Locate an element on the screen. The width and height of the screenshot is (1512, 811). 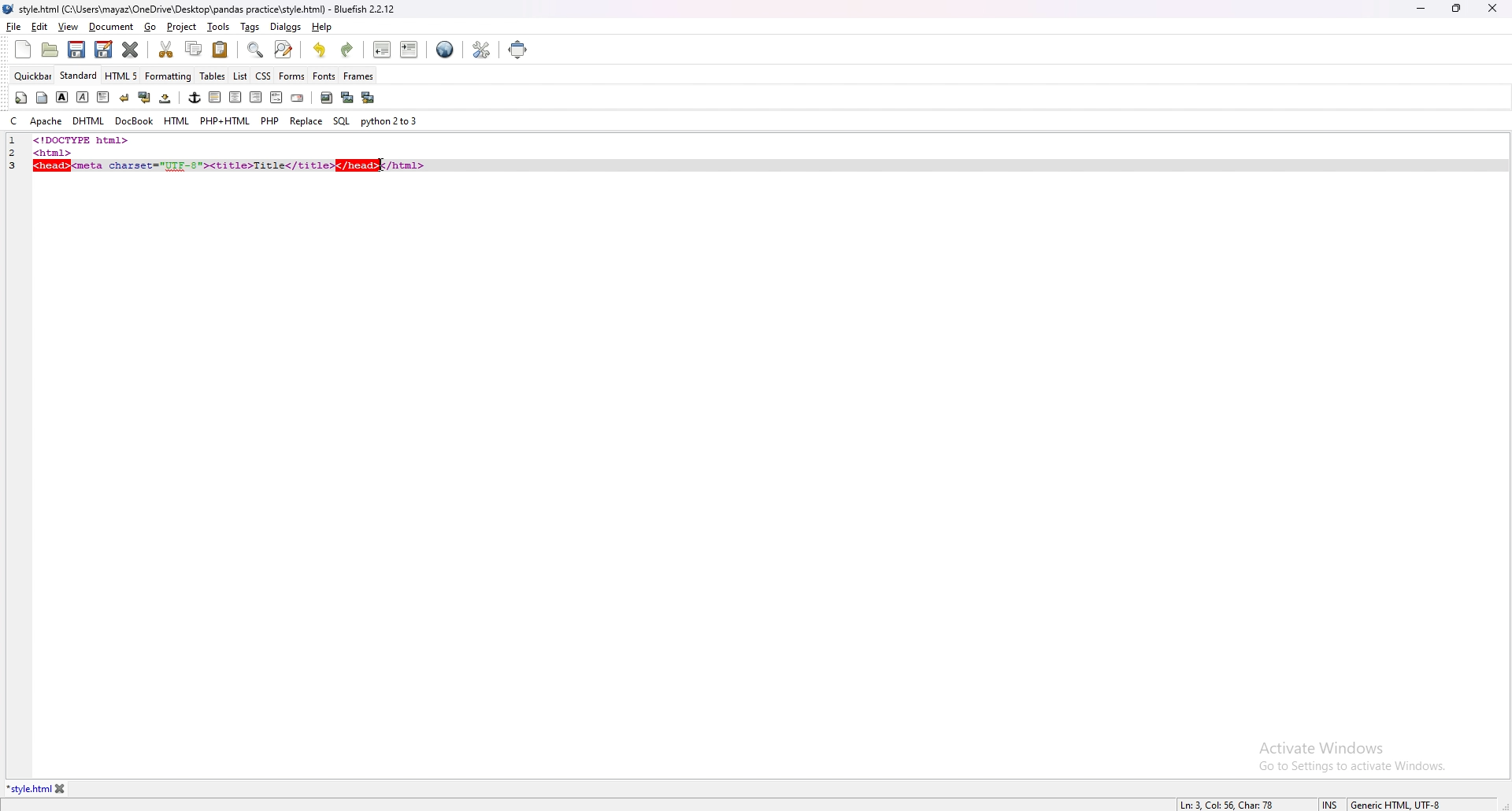
tags is located at coordinates (251, 27).